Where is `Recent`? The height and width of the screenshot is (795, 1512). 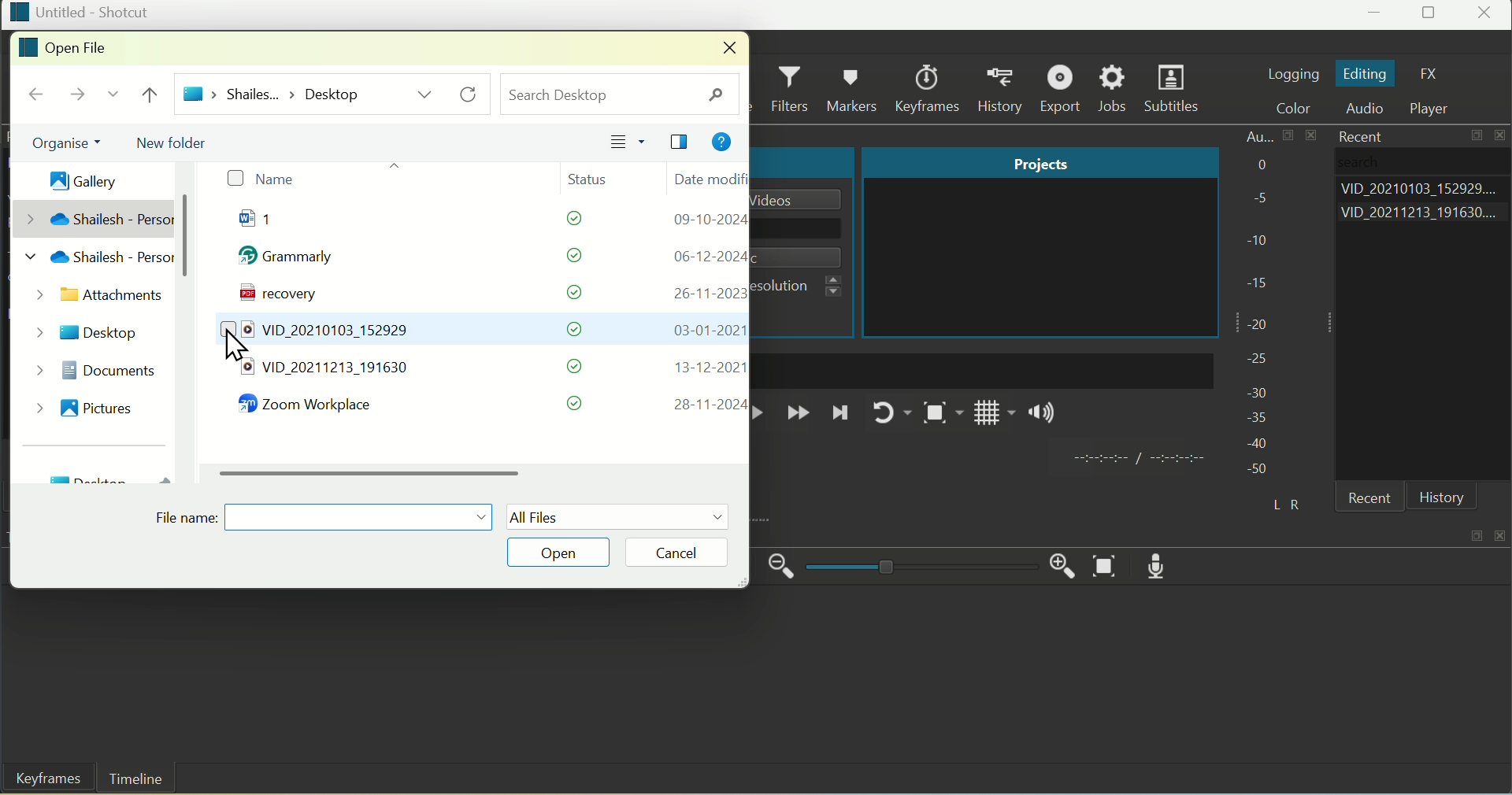 Recent is located at coordinates (1374, 500).